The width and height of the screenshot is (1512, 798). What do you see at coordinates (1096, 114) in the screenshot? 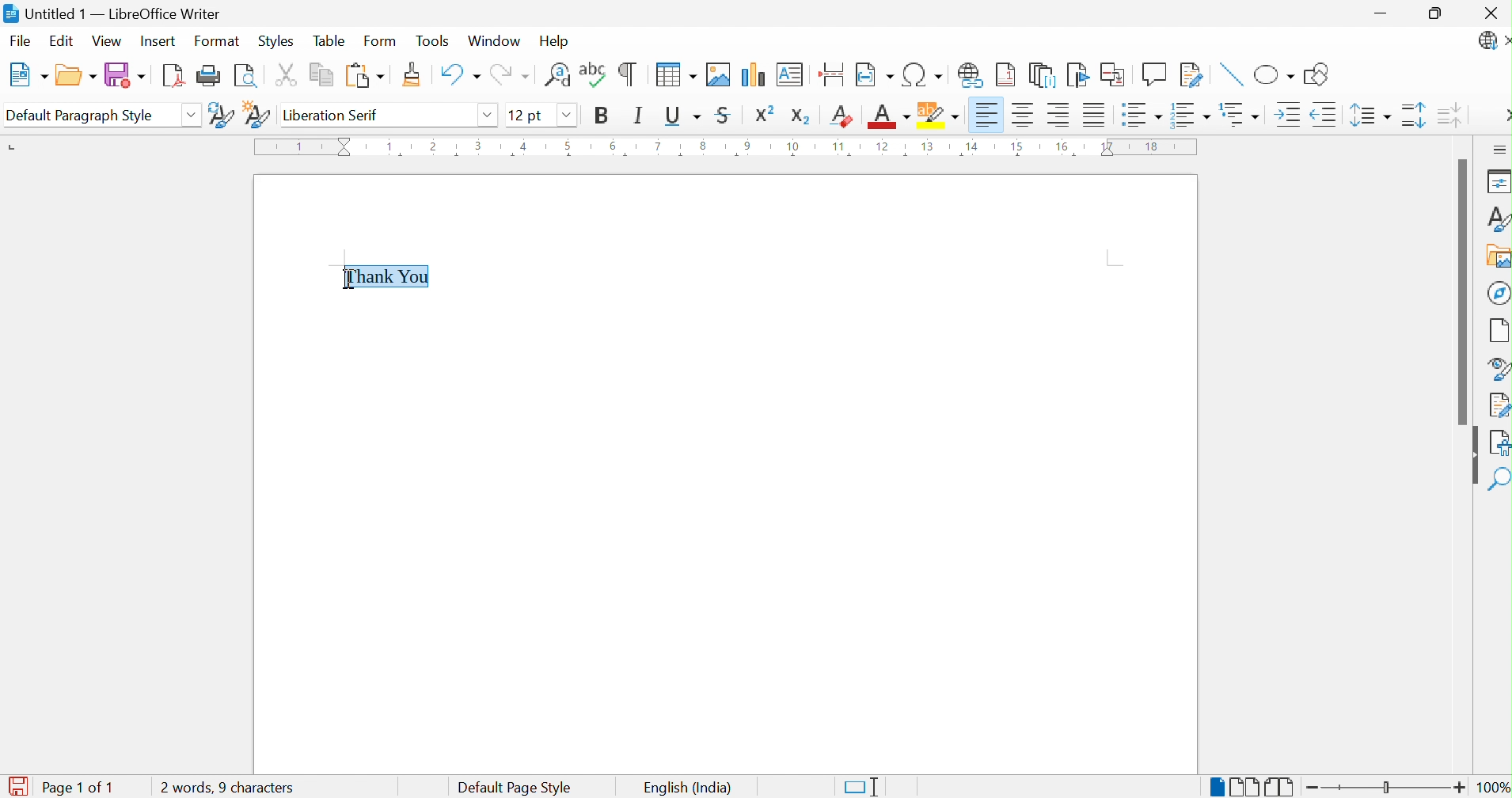
I see `Justified` at bounding box center [1096, 114].